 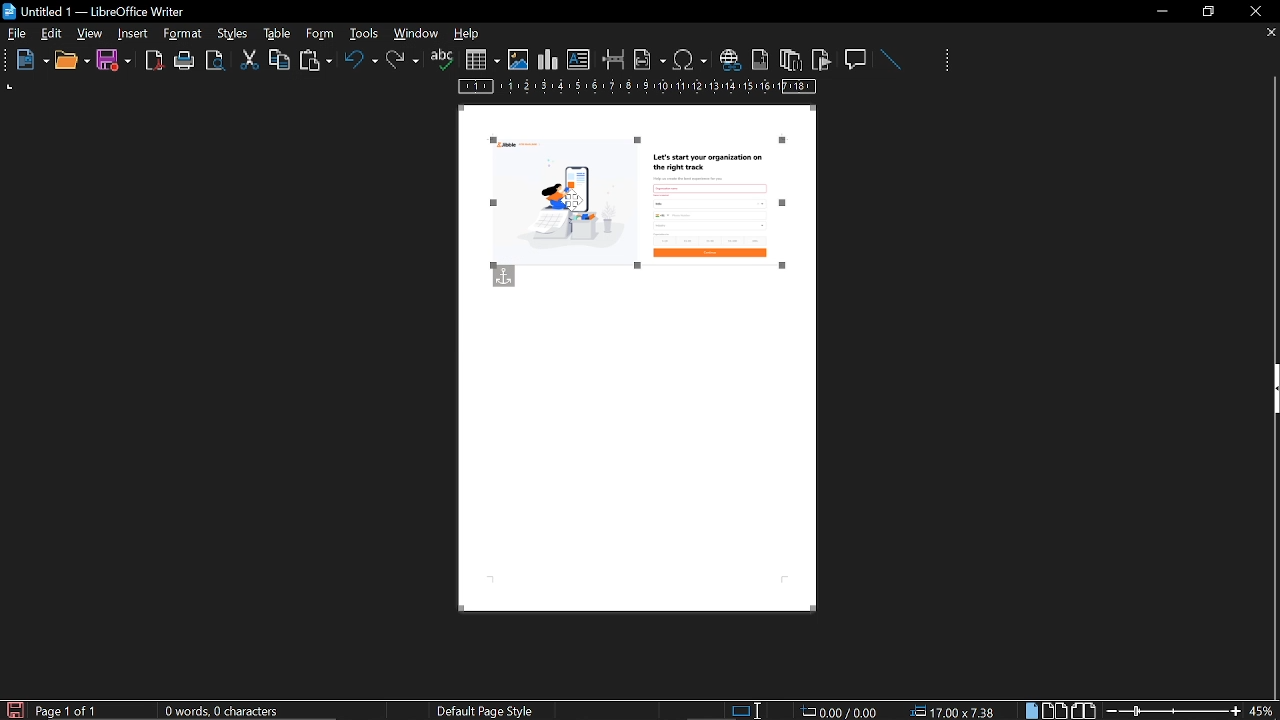 I want to click on single page view, so click(x=1034, y=710).